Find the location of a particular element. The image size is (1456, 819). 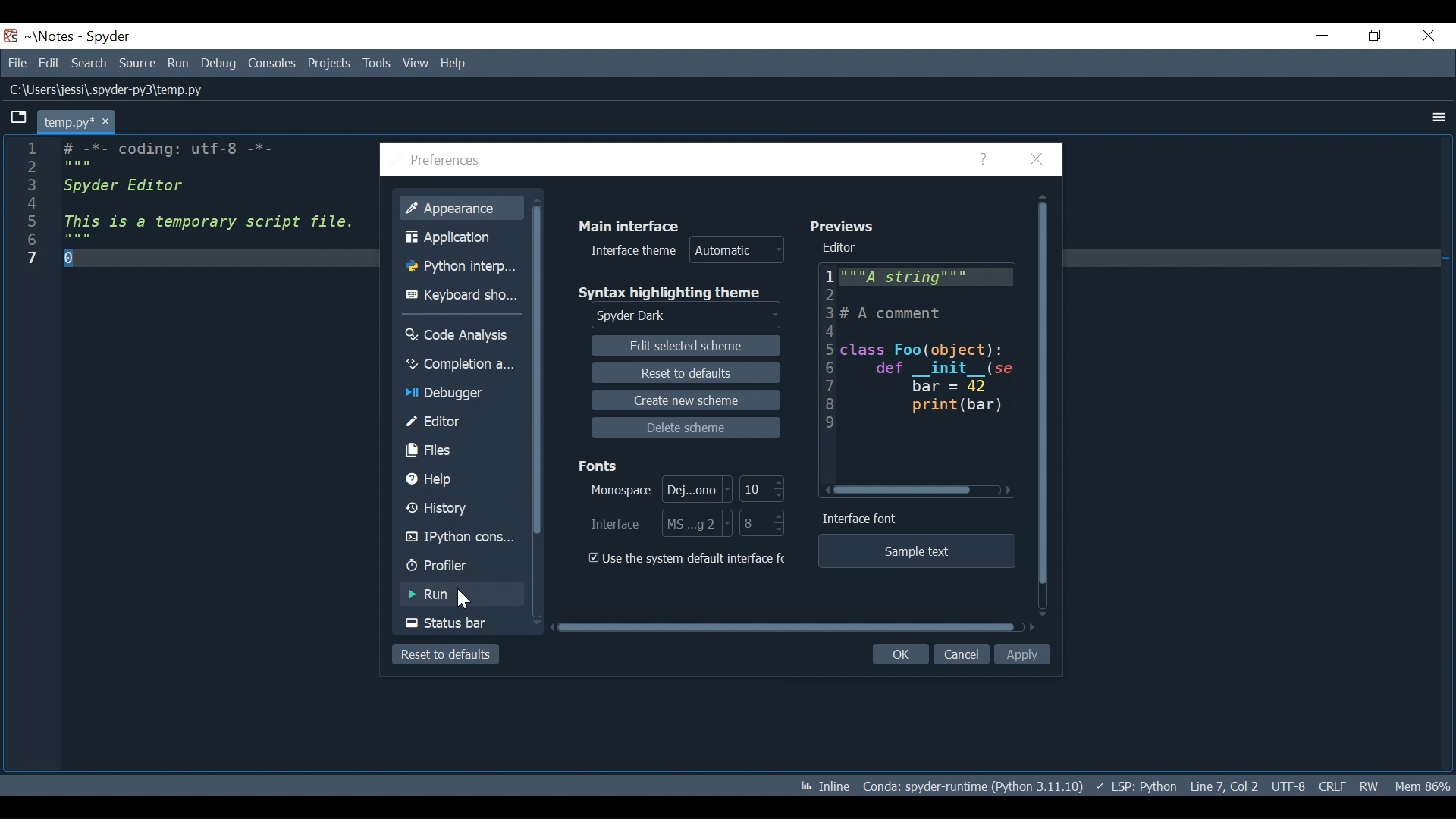

Select Interface Font is located at coordinates (660, 525).